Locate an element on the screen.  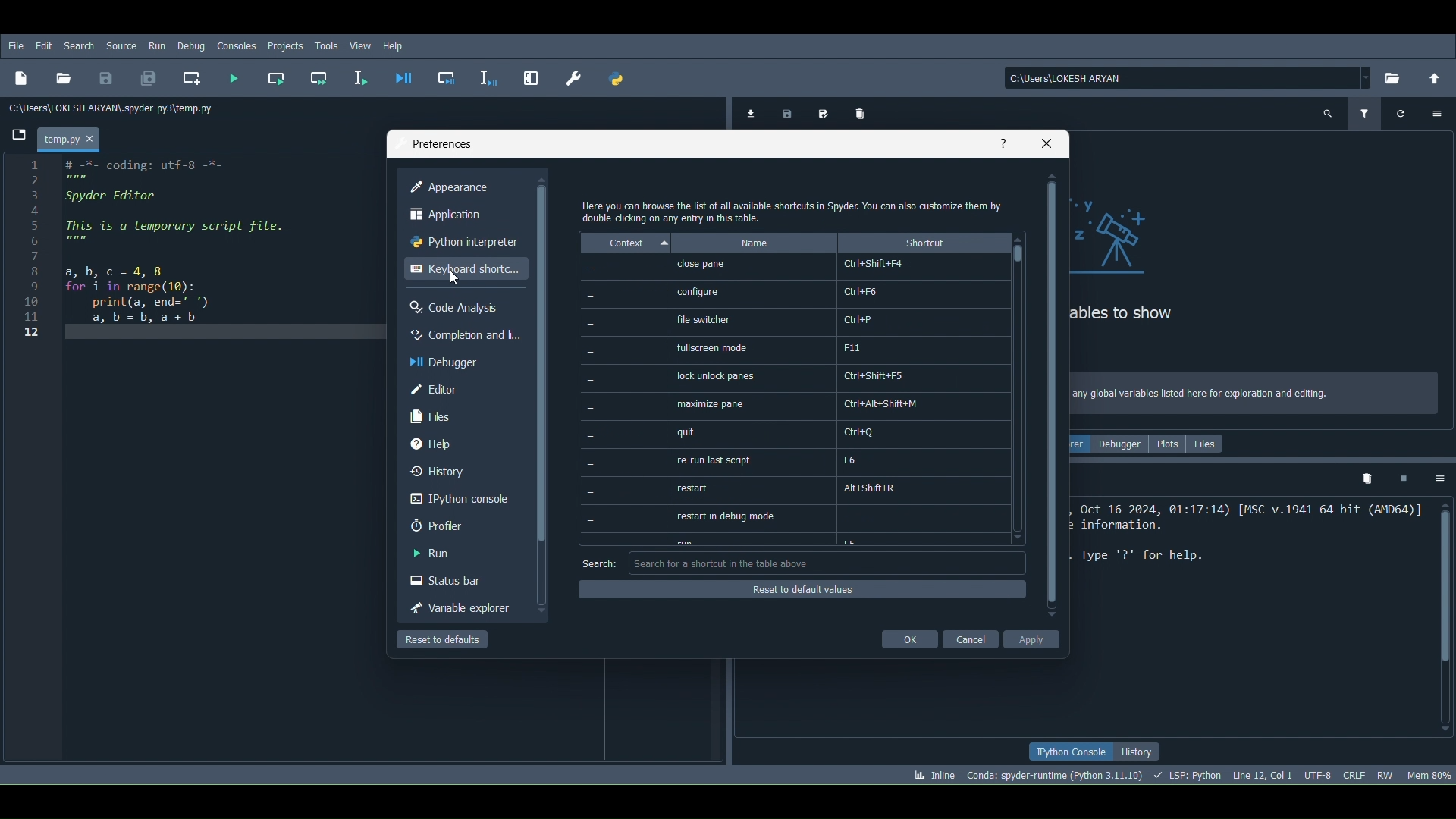
Open file (Ctrl + O) is located at coordinates (64, 76).